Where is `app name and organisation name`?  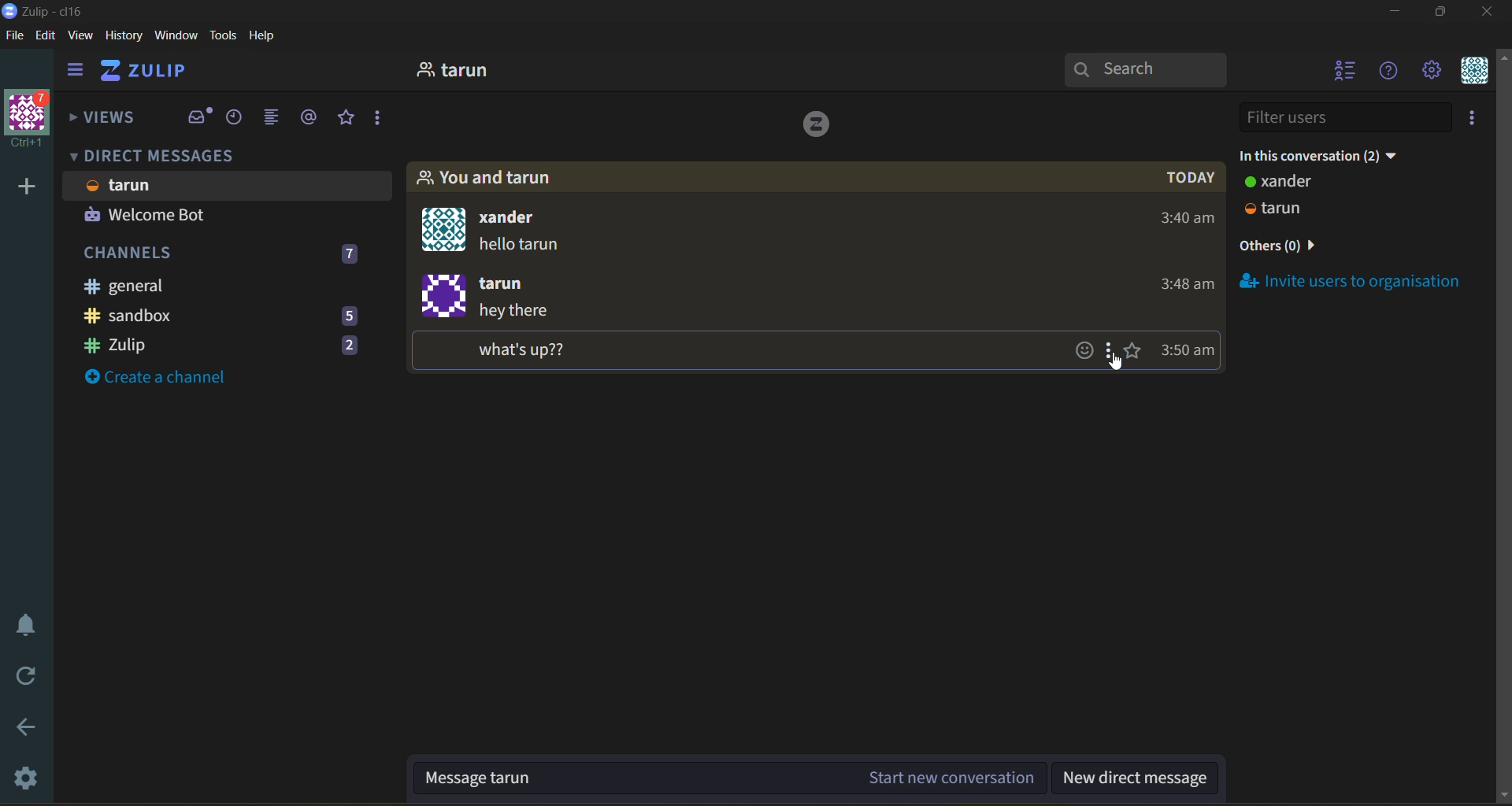 app name and organisation name is located at coordinates (46, 11).